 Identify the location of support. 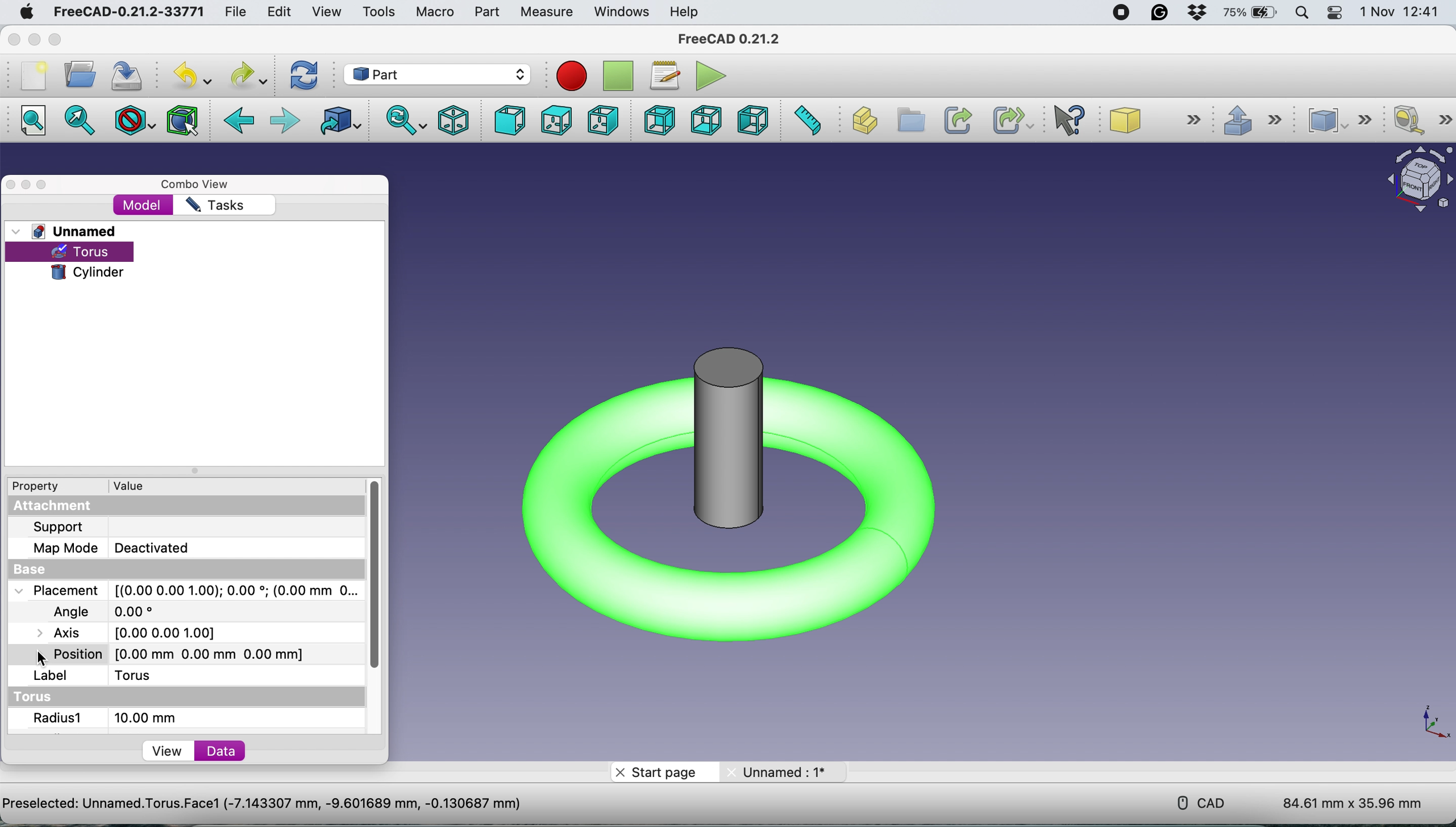
(73, 529).